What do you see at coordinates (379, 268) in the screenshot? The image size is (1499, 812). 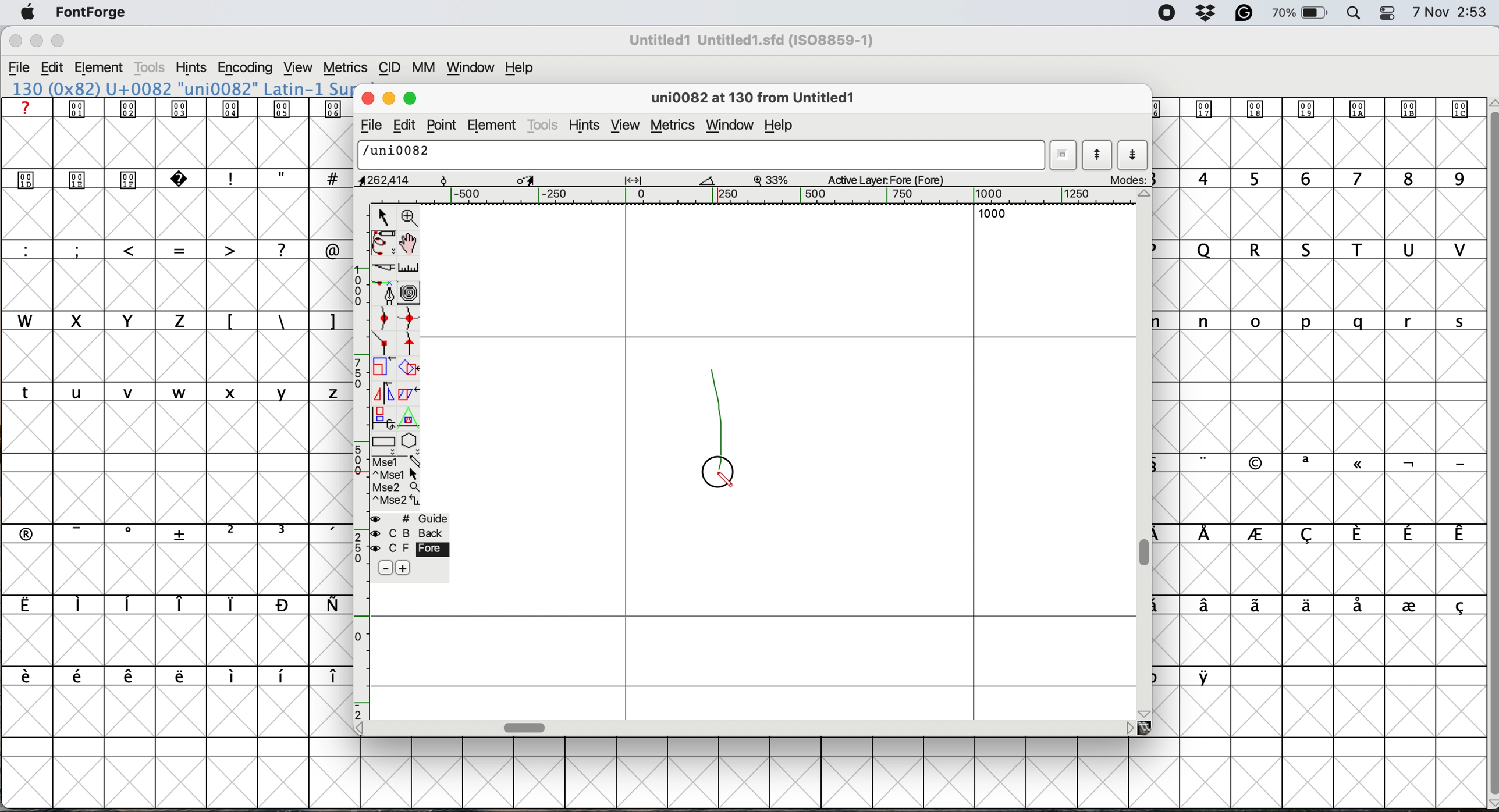 I see `cut splines in two` at bounding box center [379, 268].